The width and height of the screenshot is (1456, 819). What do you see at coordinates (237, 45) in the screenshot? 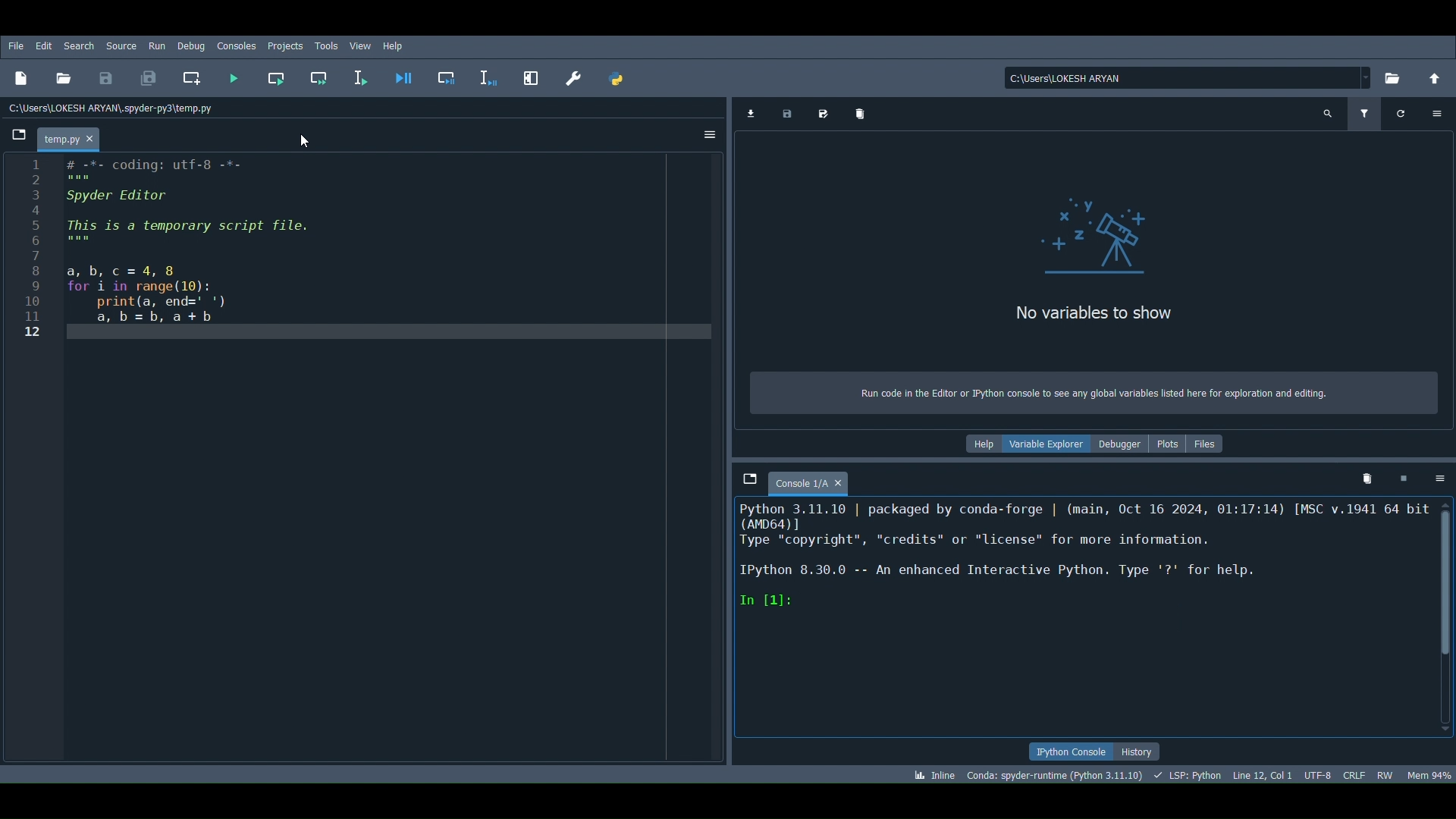
I see `Consoles` at bounding box center [237, 45].